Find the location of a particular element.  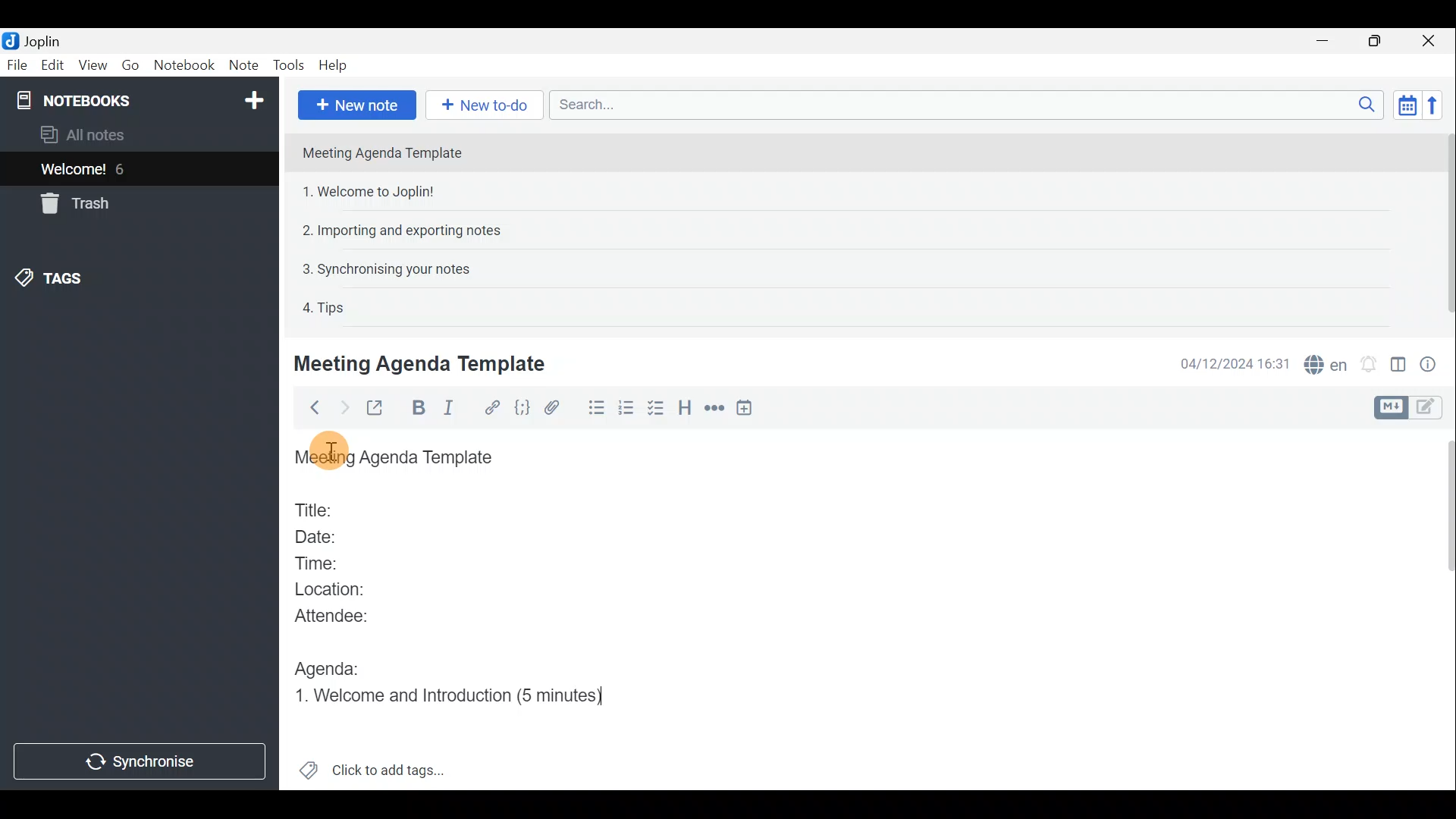

Close is located at coordinates (1429, 42).